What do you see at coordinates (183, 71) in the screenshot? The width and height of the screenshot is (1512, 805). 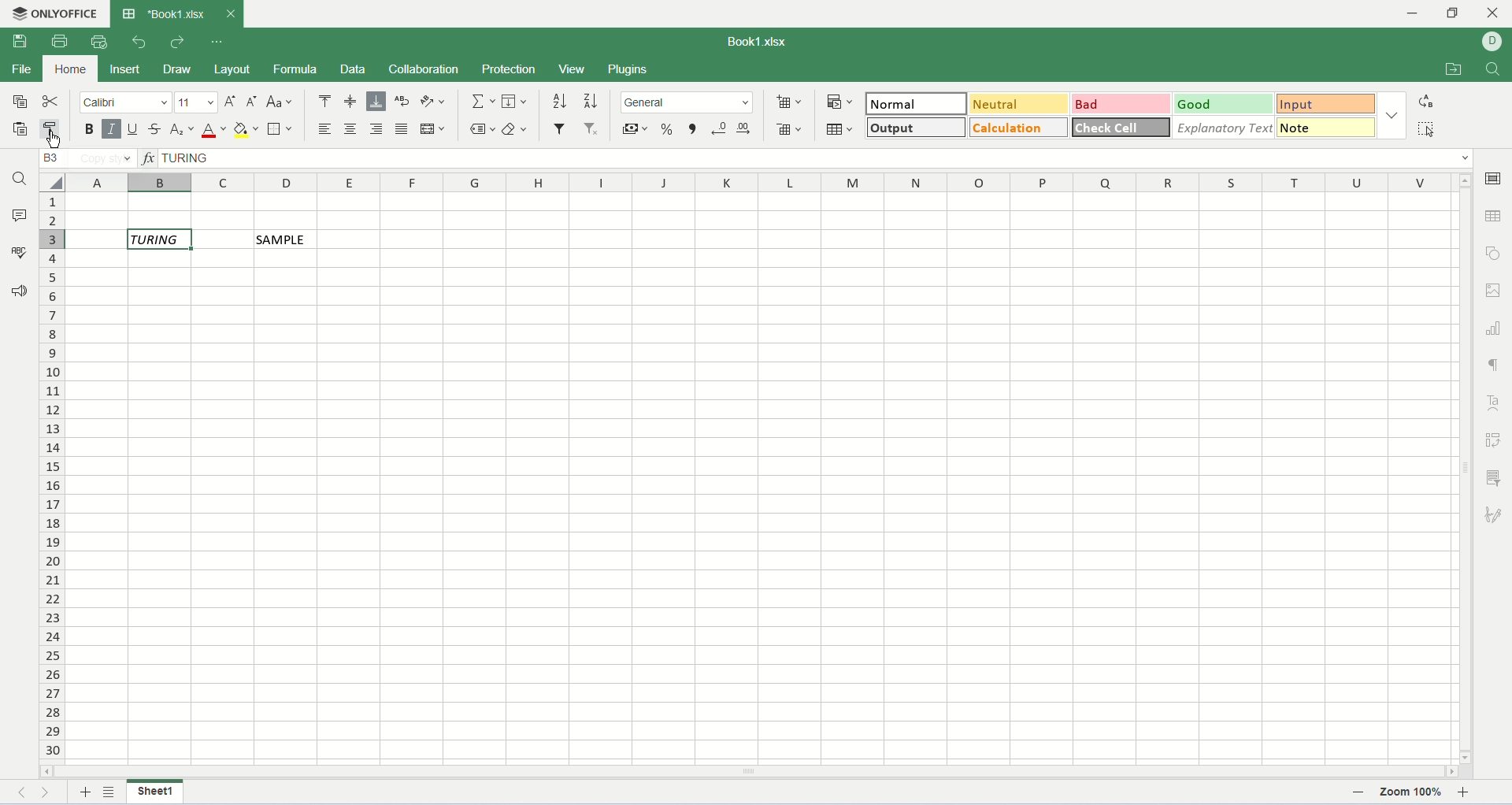 I see `draw` at bounding box center [183, 71].